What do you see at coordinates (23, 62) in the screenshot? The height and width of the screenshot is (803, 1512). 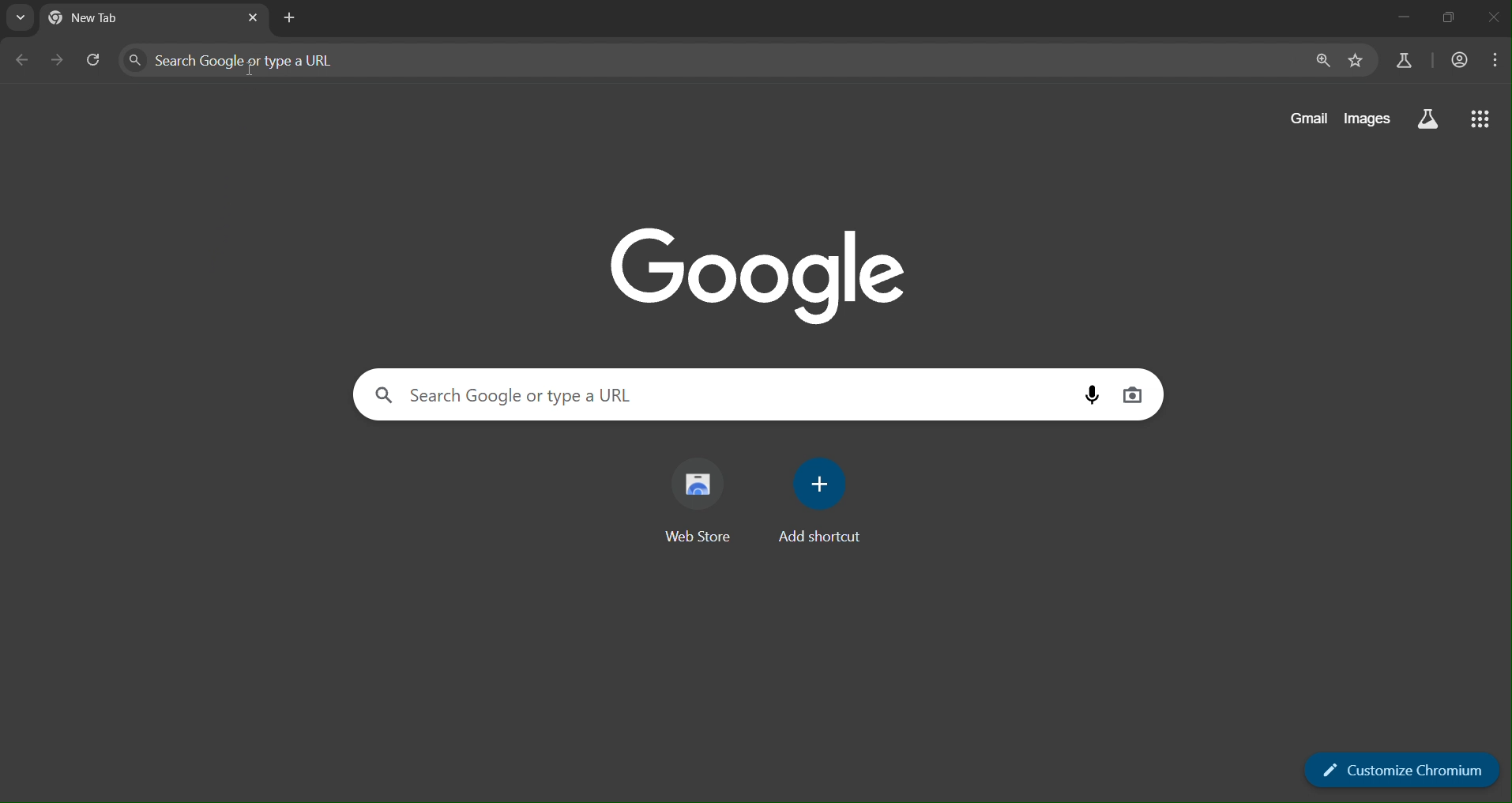 I see `go back one page` at bounding box center [23, 62].